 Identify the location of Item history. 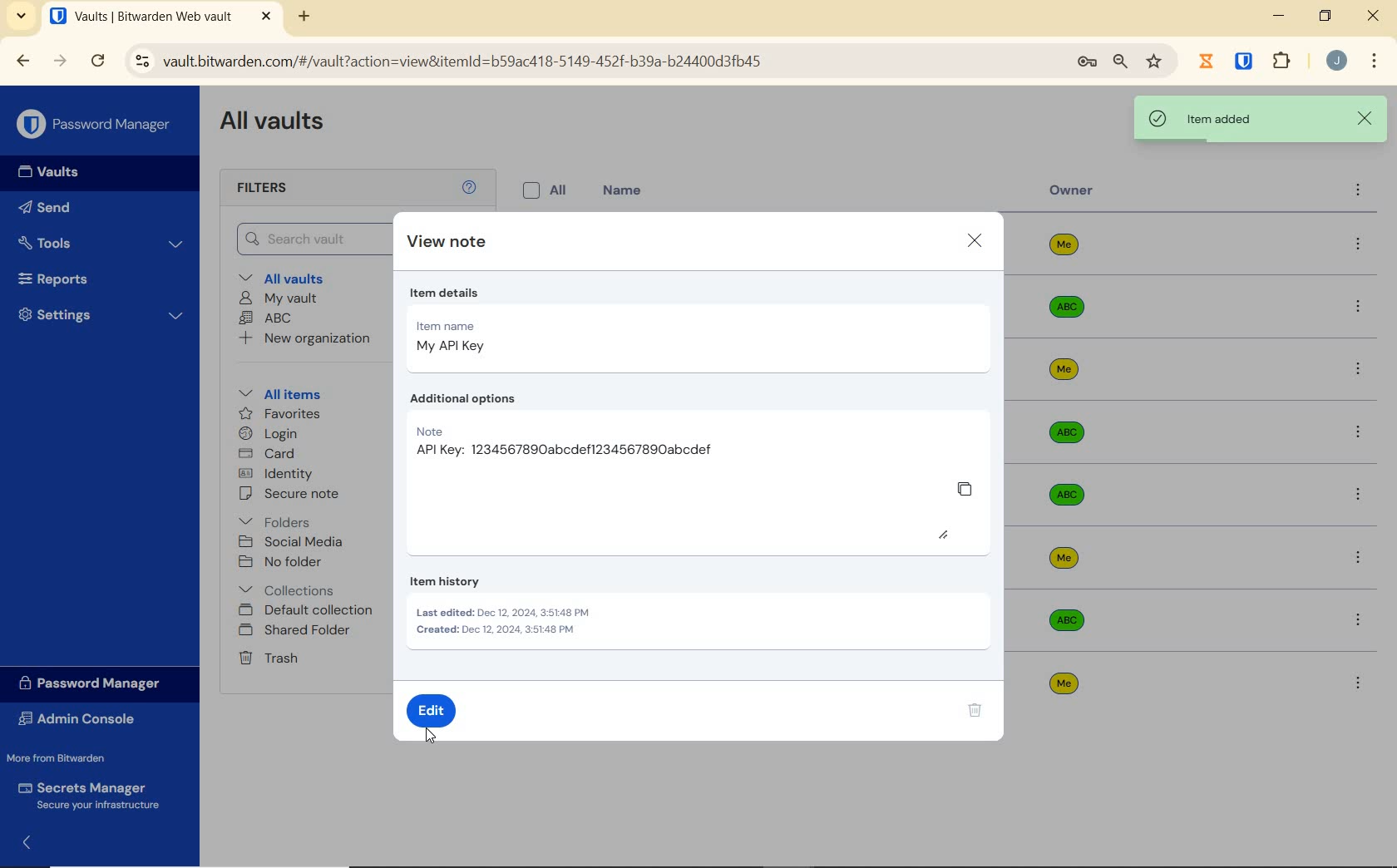
(520, 615).